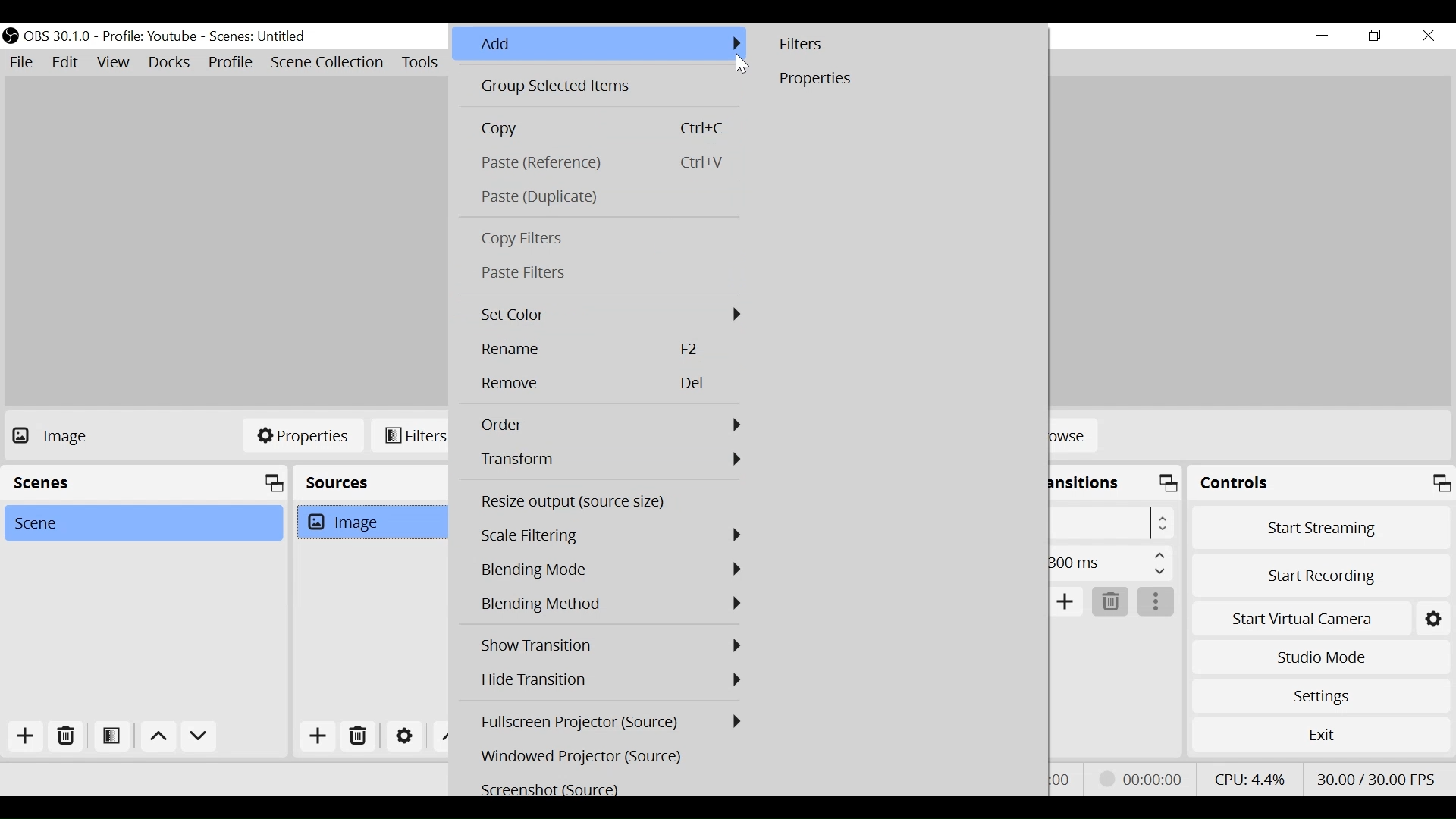  Describe the element at coordinates (57, 37) in the screenshot. I see `OBS Version` at that location.